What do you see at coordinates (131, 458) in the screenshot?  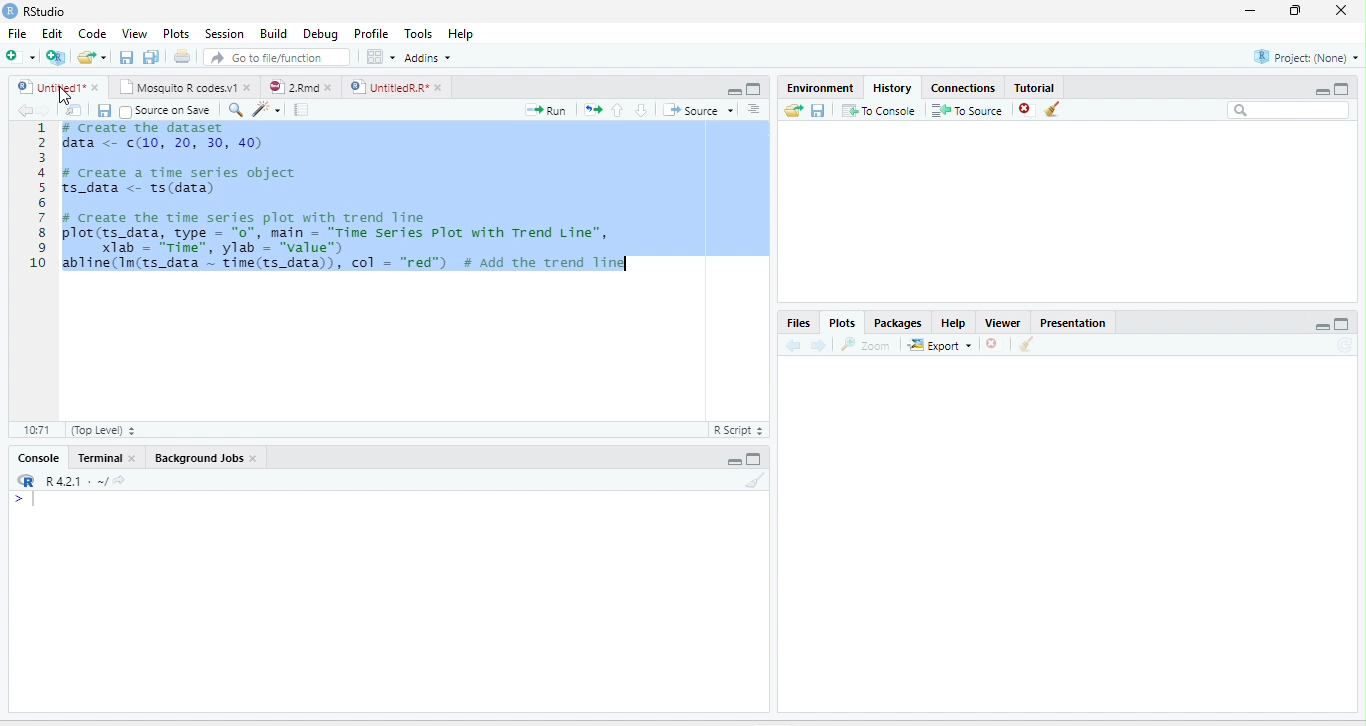 I see `close` at bounding box center [131, 458].